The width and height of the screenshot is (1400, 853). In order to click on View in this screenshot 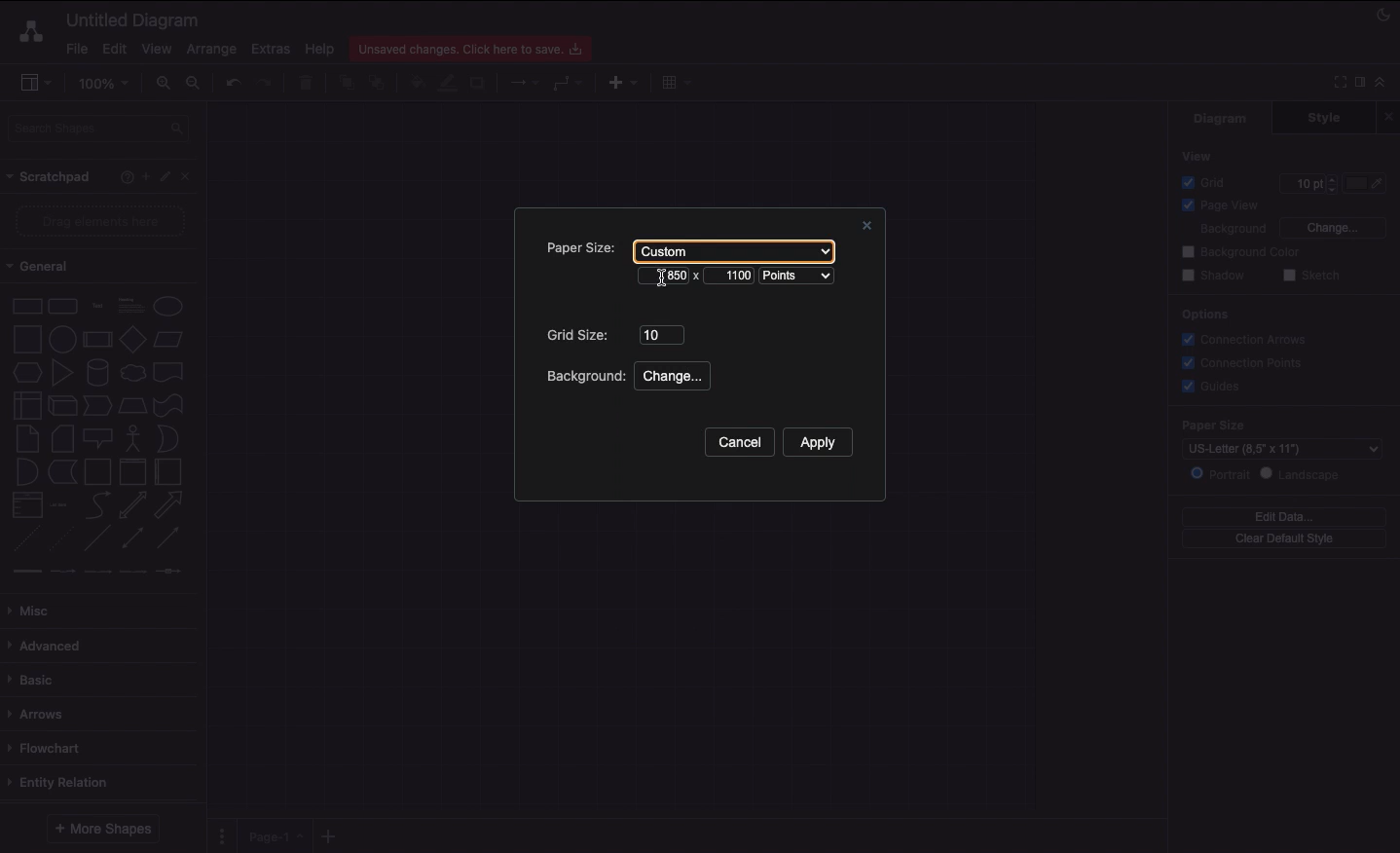, I will do `click(1198, 155)`.